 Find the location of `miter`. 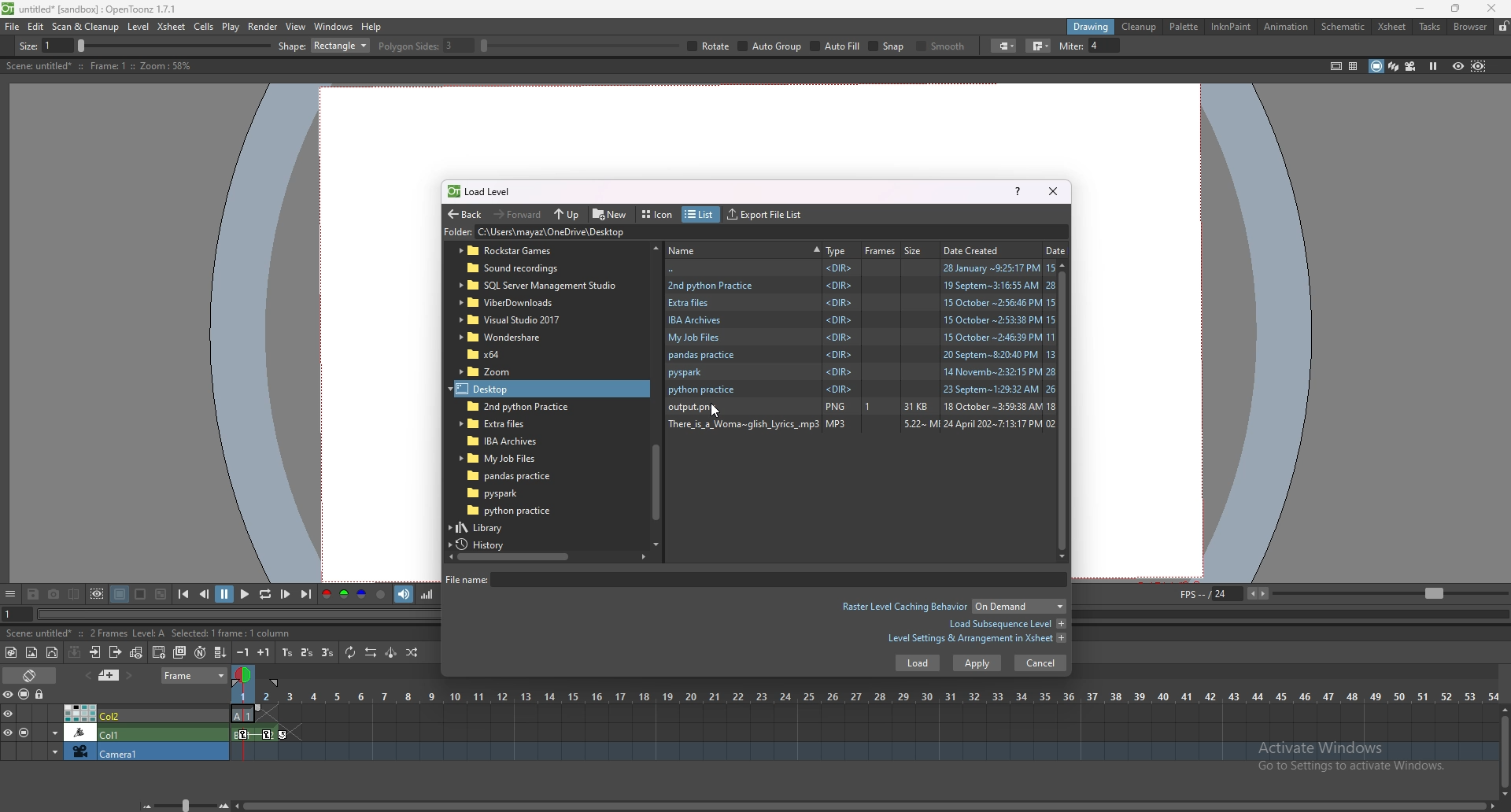

miter is located at coordinates (1364, 46).